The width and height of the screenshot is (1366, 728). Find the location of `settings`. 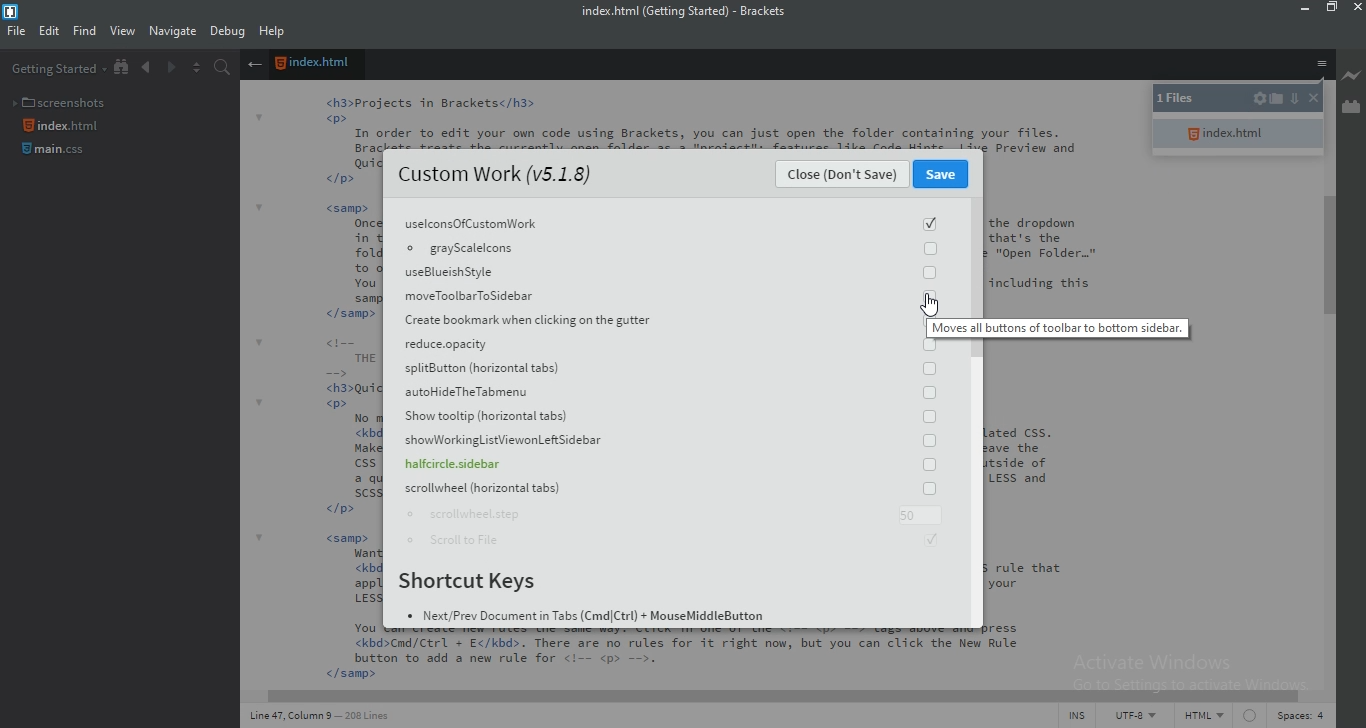

settings is located at coordinates (1259, 100).